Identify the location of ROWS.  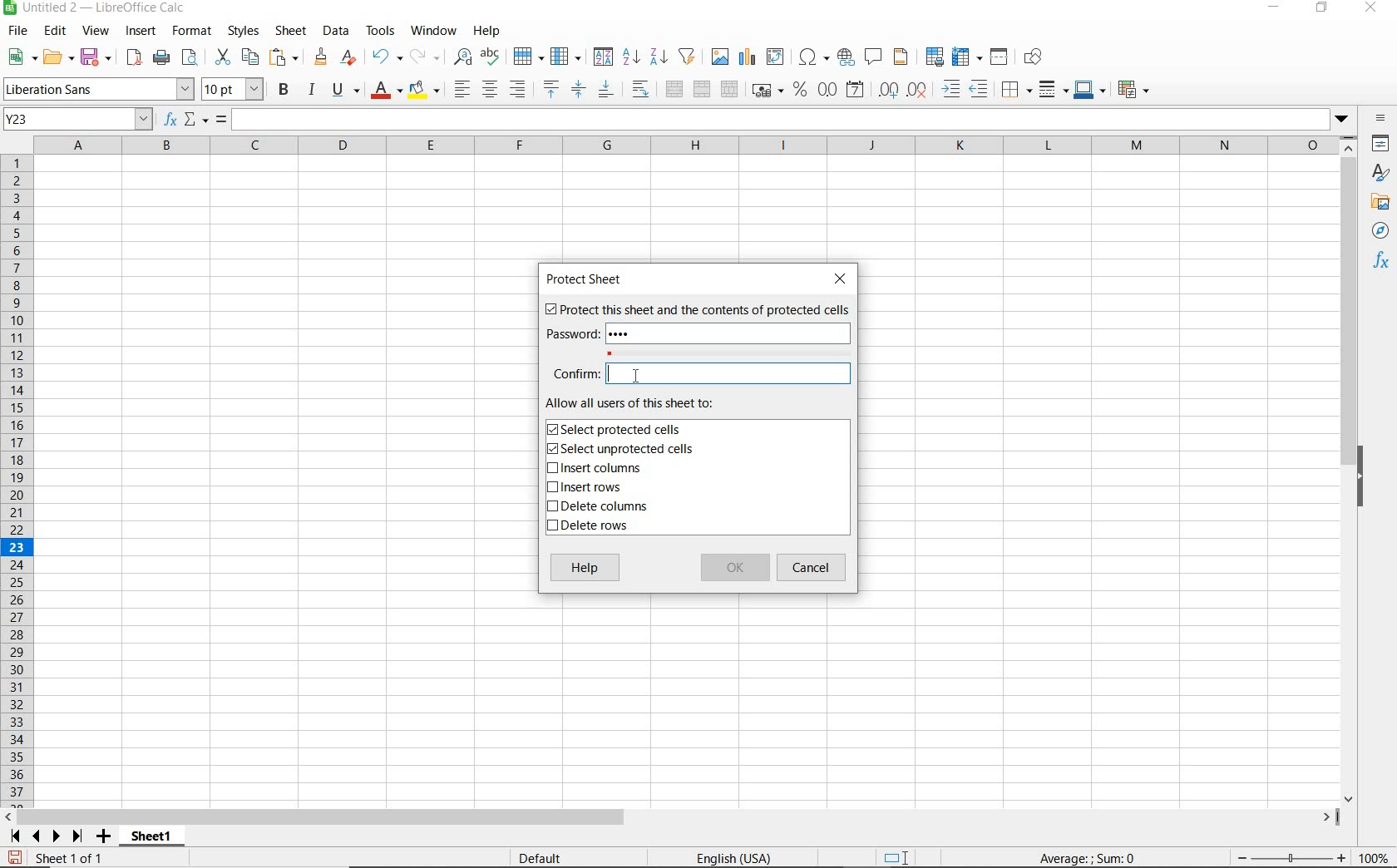
(18, 478).